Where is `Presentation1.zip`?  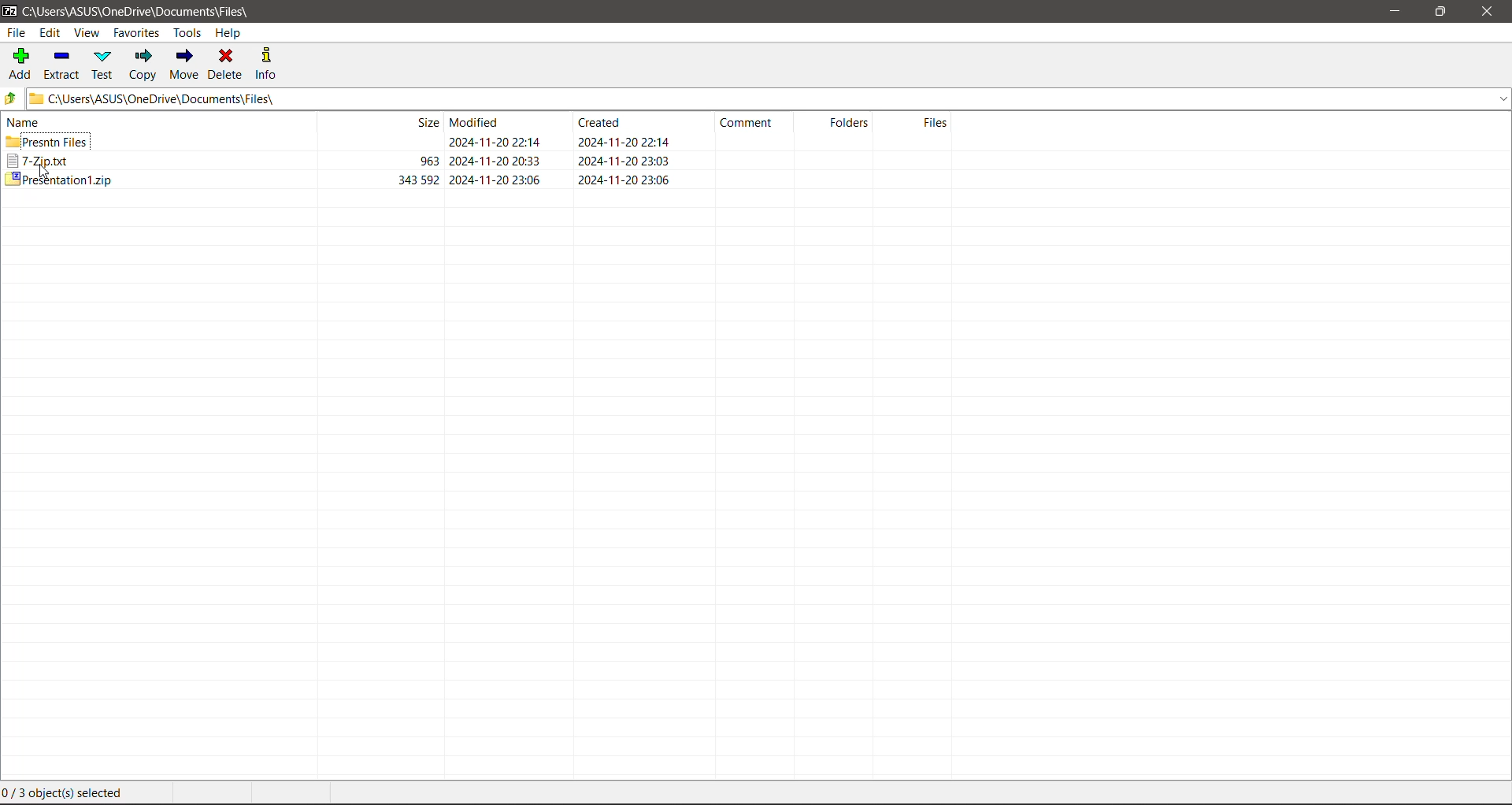
Presentation1.zip is located at coordinates (57, 180).